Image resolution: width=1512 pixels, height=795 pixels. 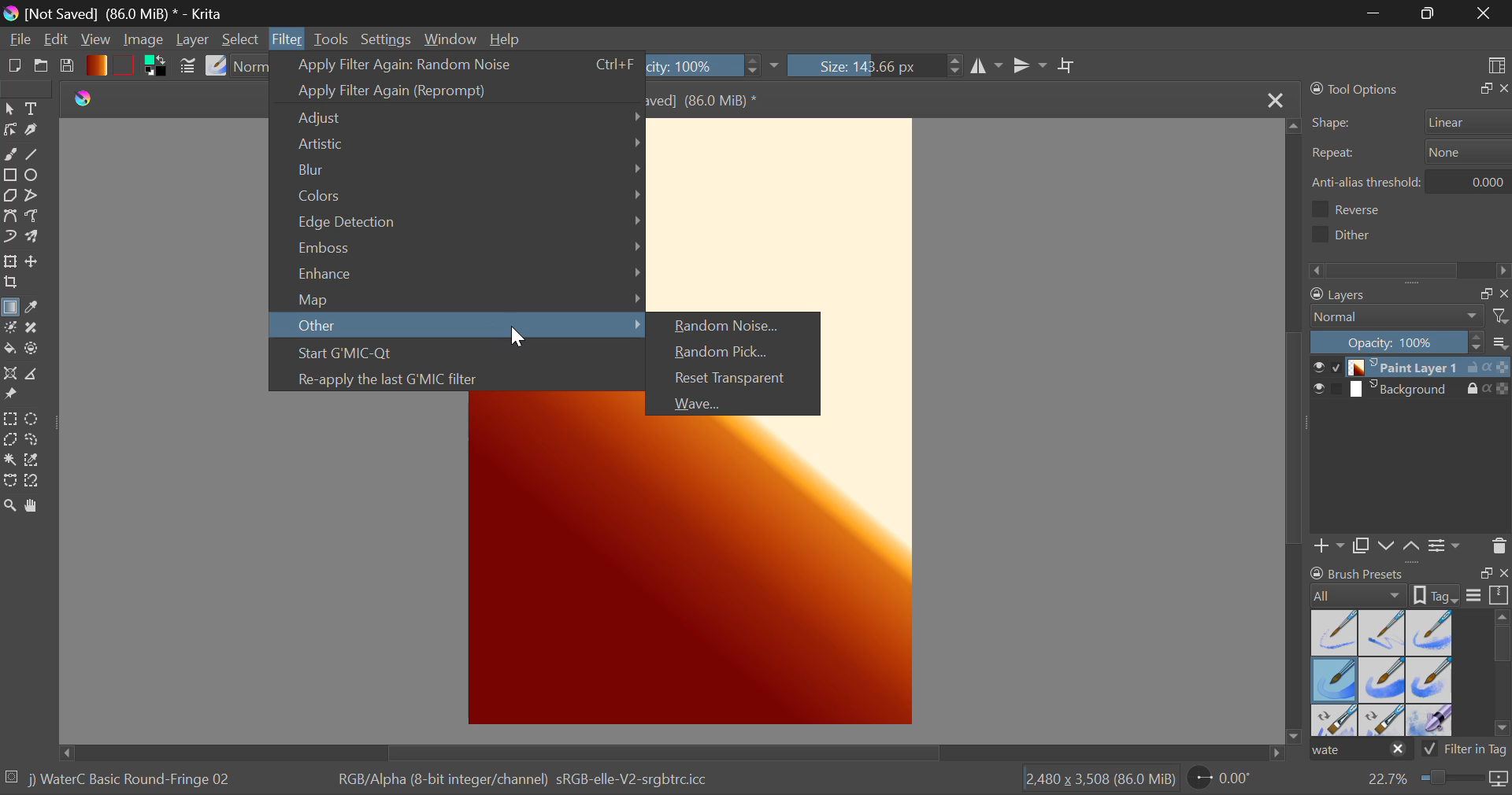 I want to click on Dynamic Brush, so click(x=9, y=236).